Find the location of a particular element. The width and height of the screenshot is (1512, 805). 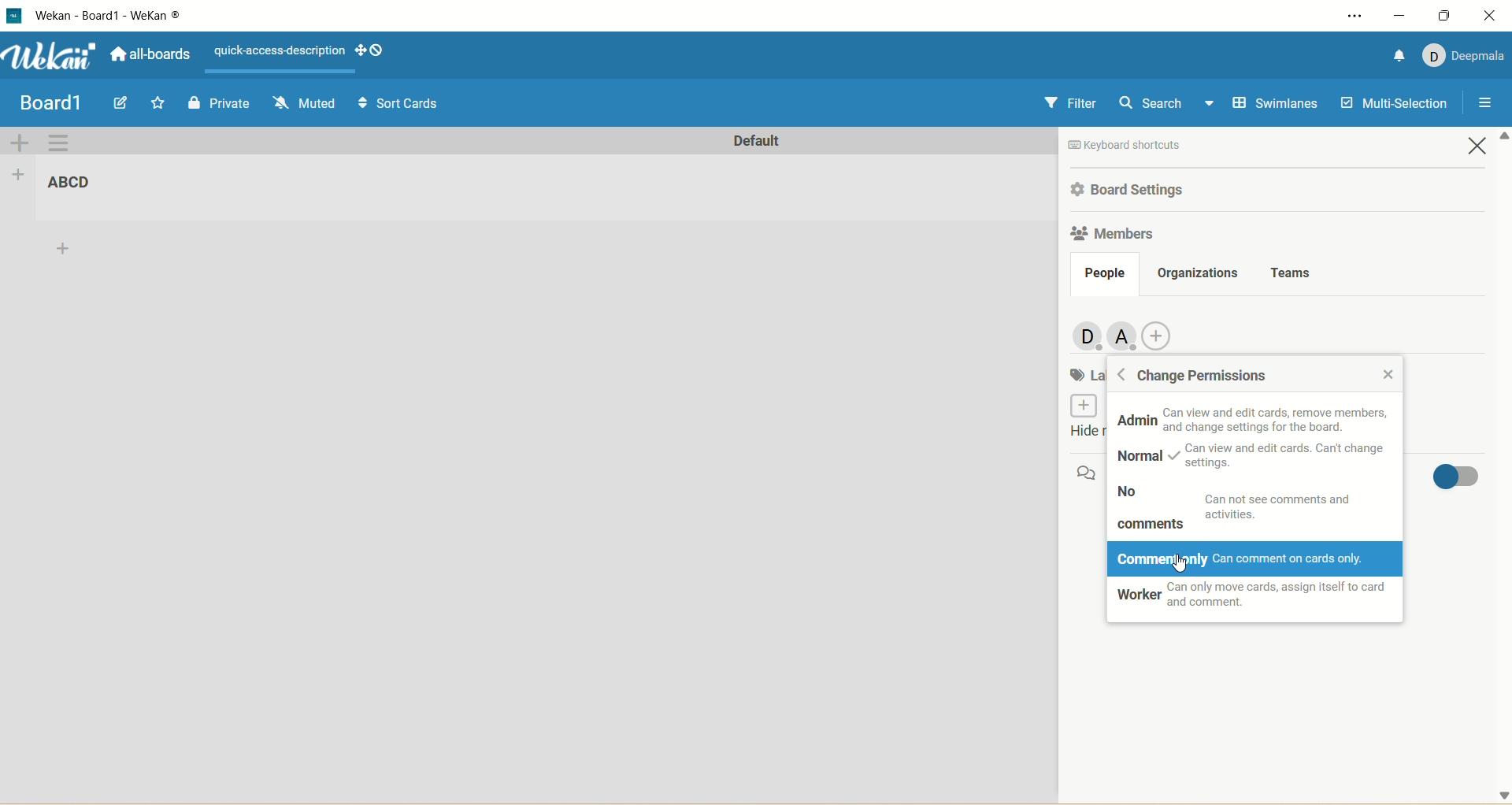

no is located at coordinates (1132, 495).